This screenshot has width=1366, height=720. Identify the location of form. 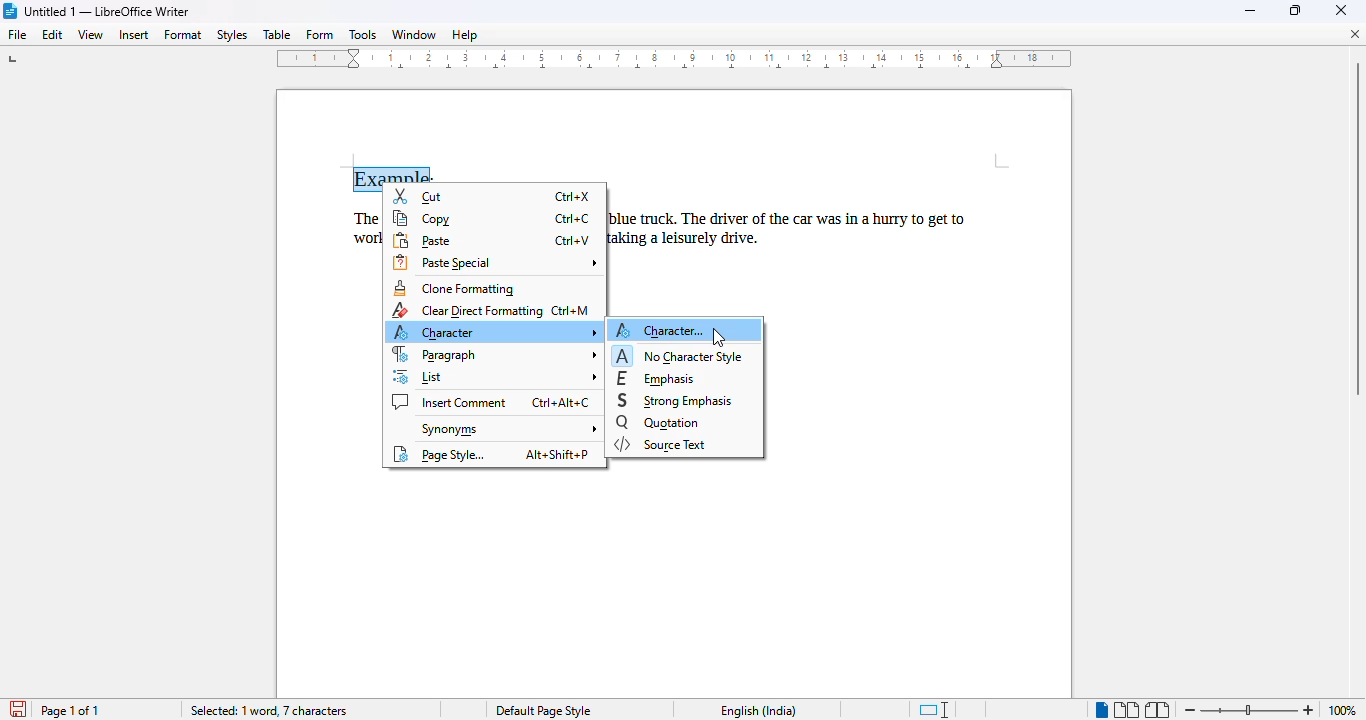
(320, 35).